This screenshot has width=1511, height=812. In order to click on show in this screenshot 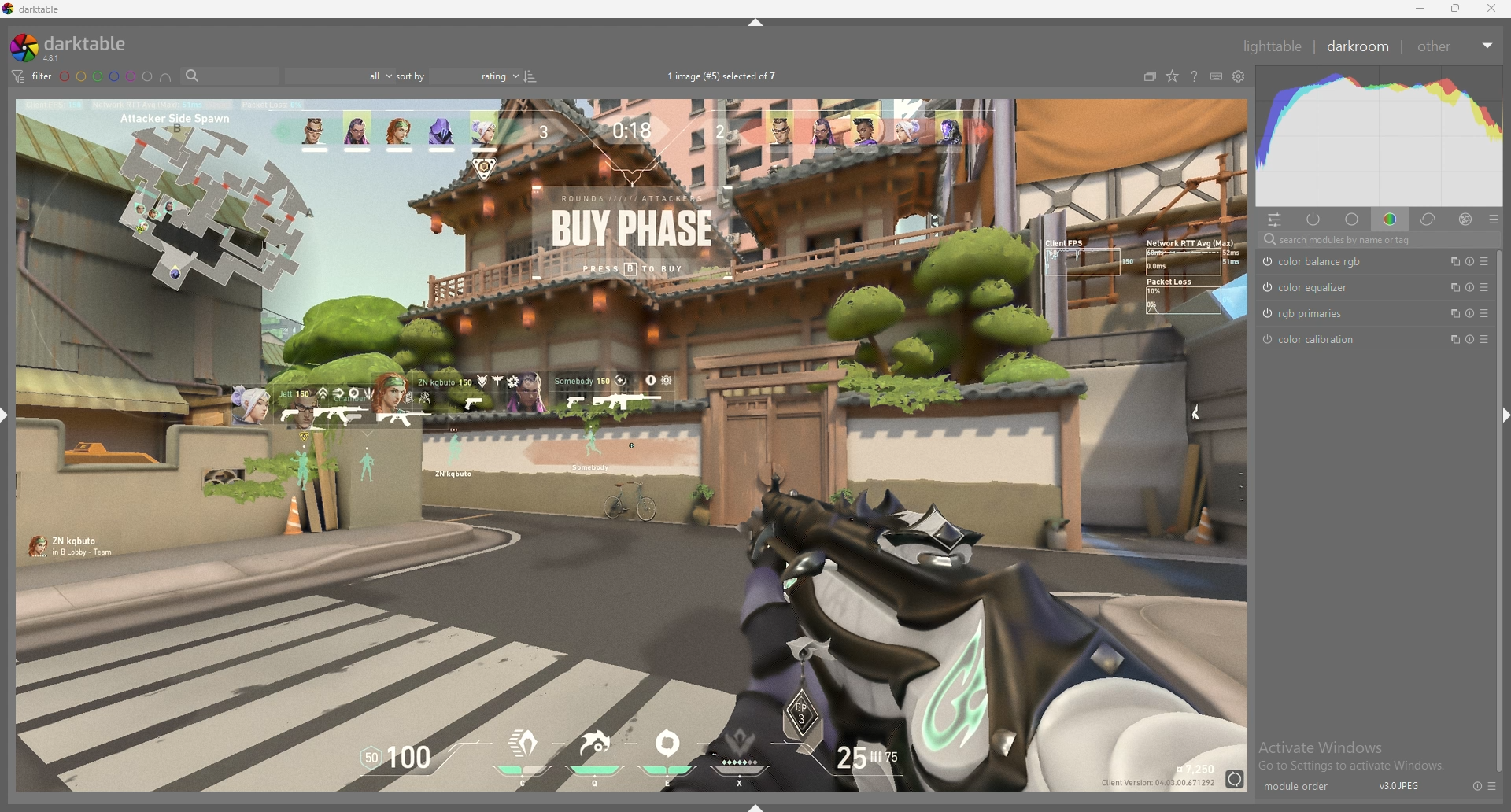, I will do `click(757, 808)`.